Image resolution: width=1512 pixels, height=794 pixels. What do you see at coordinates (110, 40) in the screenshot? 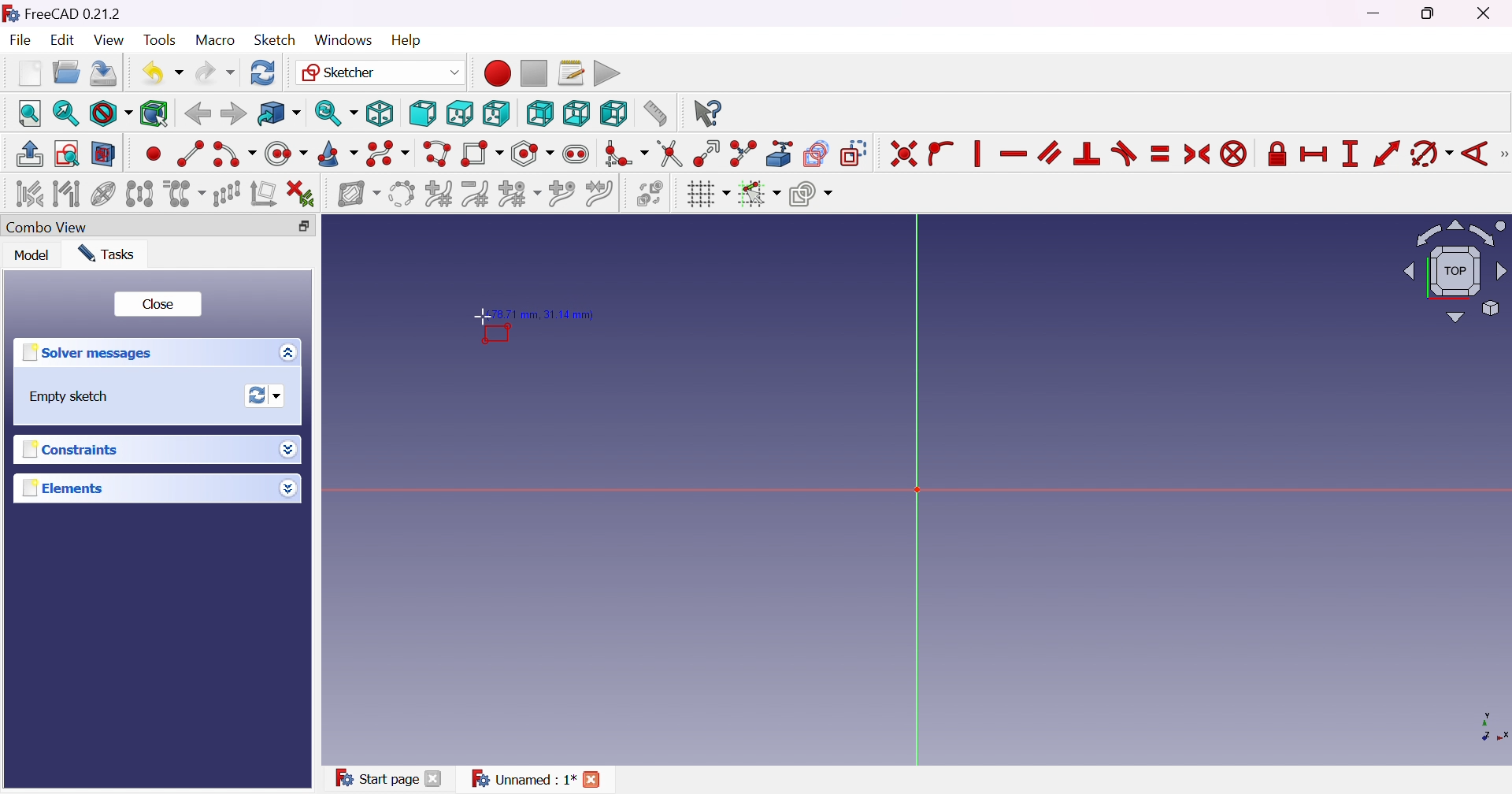
I see `View` at bounding box center [110, 40].